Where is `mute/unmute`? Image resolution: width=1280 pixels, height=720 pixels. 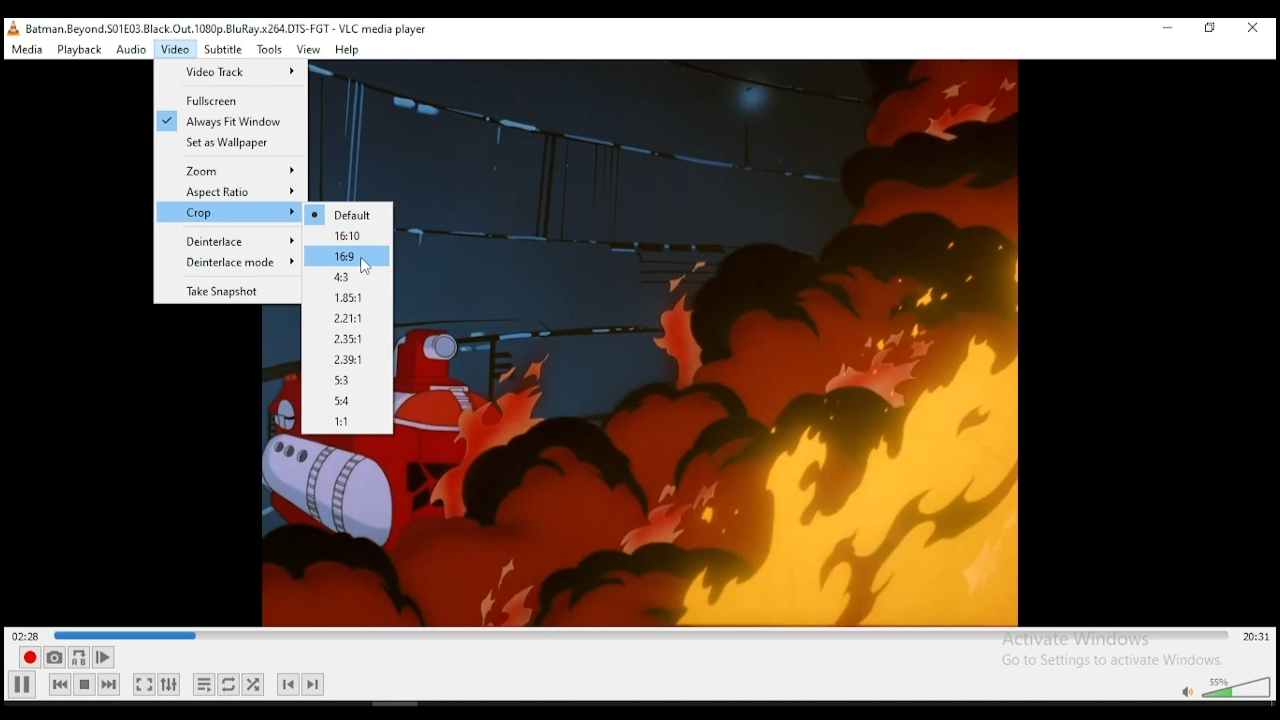 mute/unmute is located at coordinates (1184, 690).